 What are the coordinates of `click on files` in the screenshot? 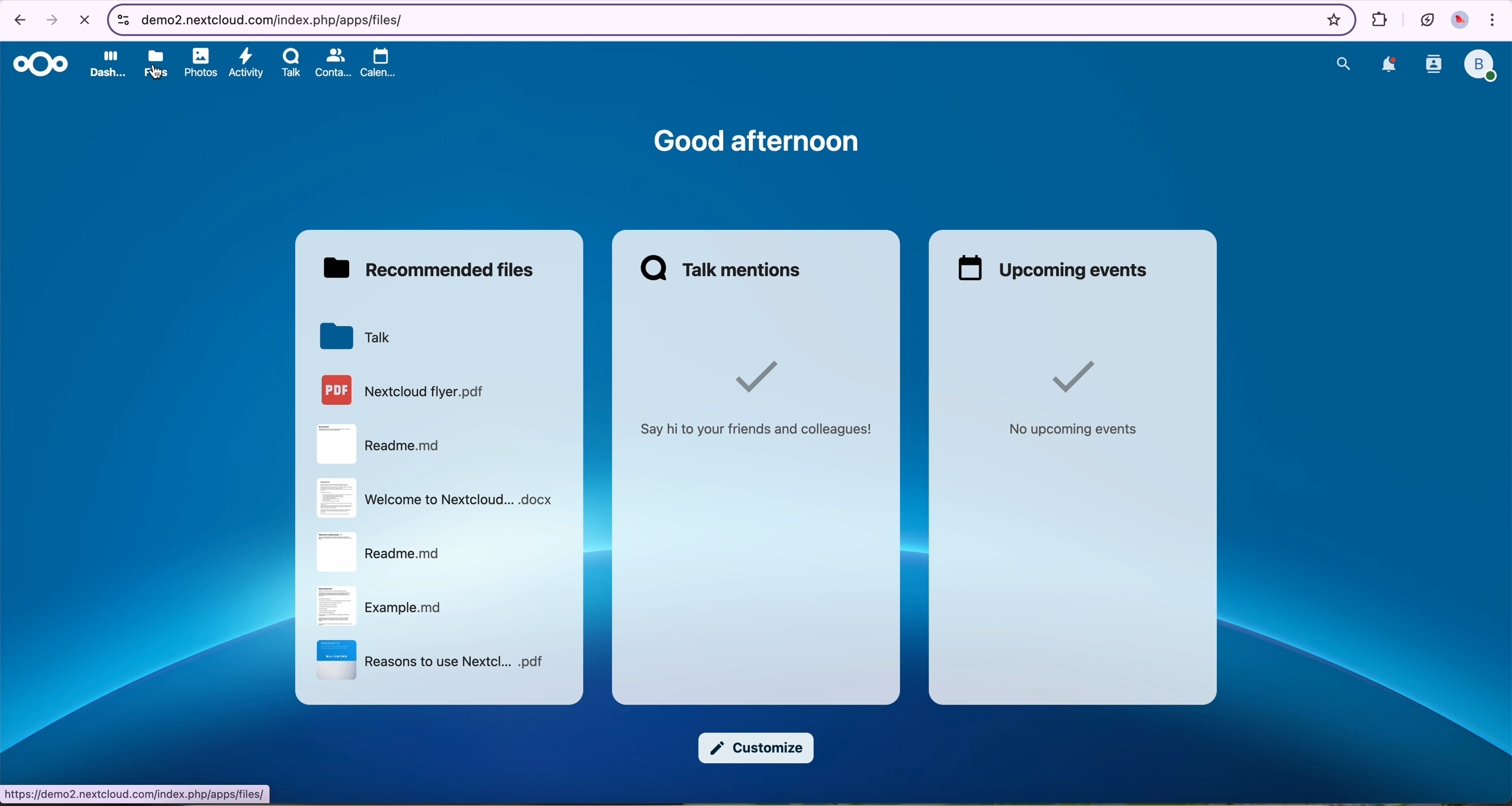 It's located at (158, 62).